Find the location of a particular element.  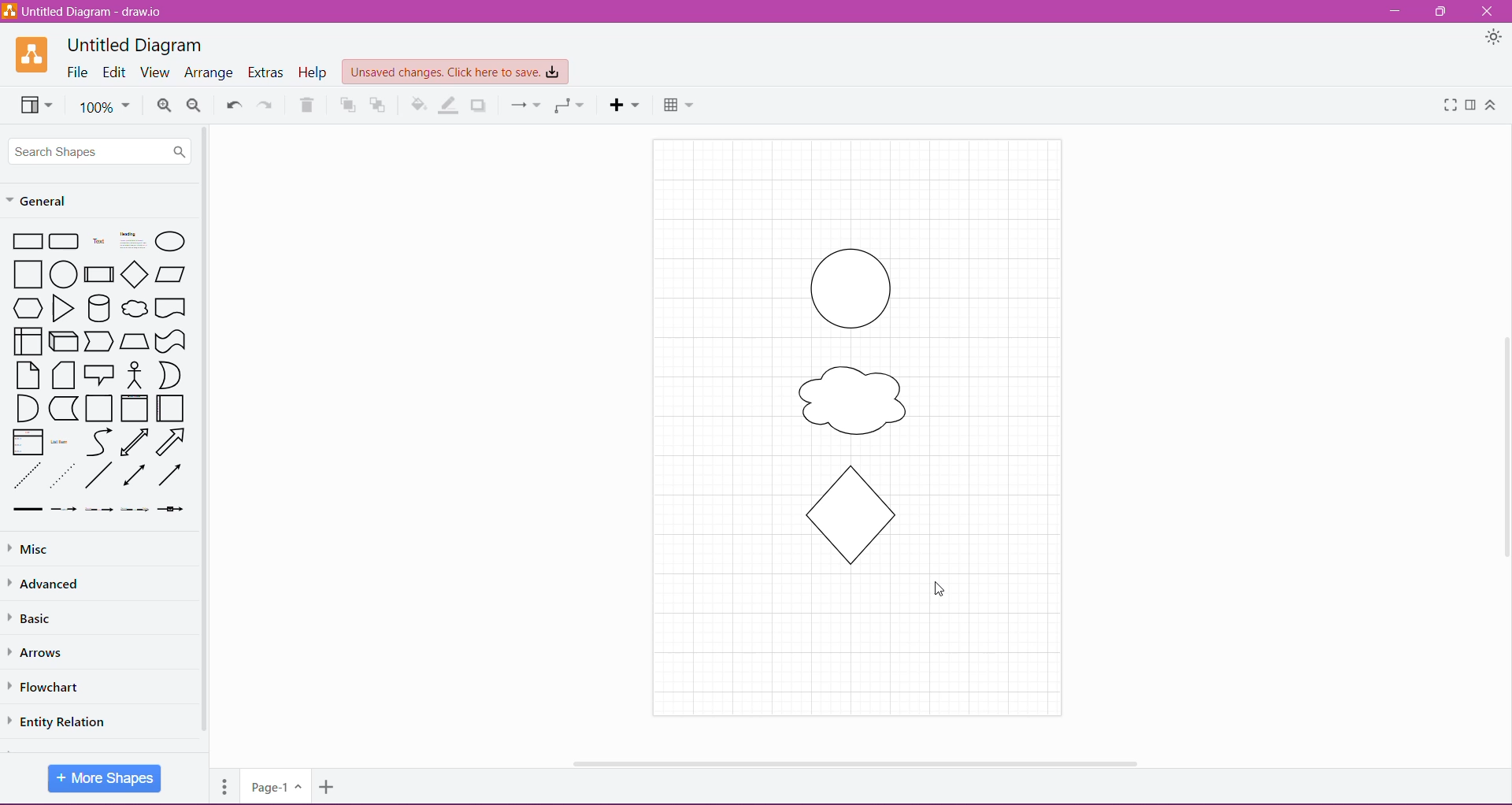

Appearance is located at coordinates (1494, 39).